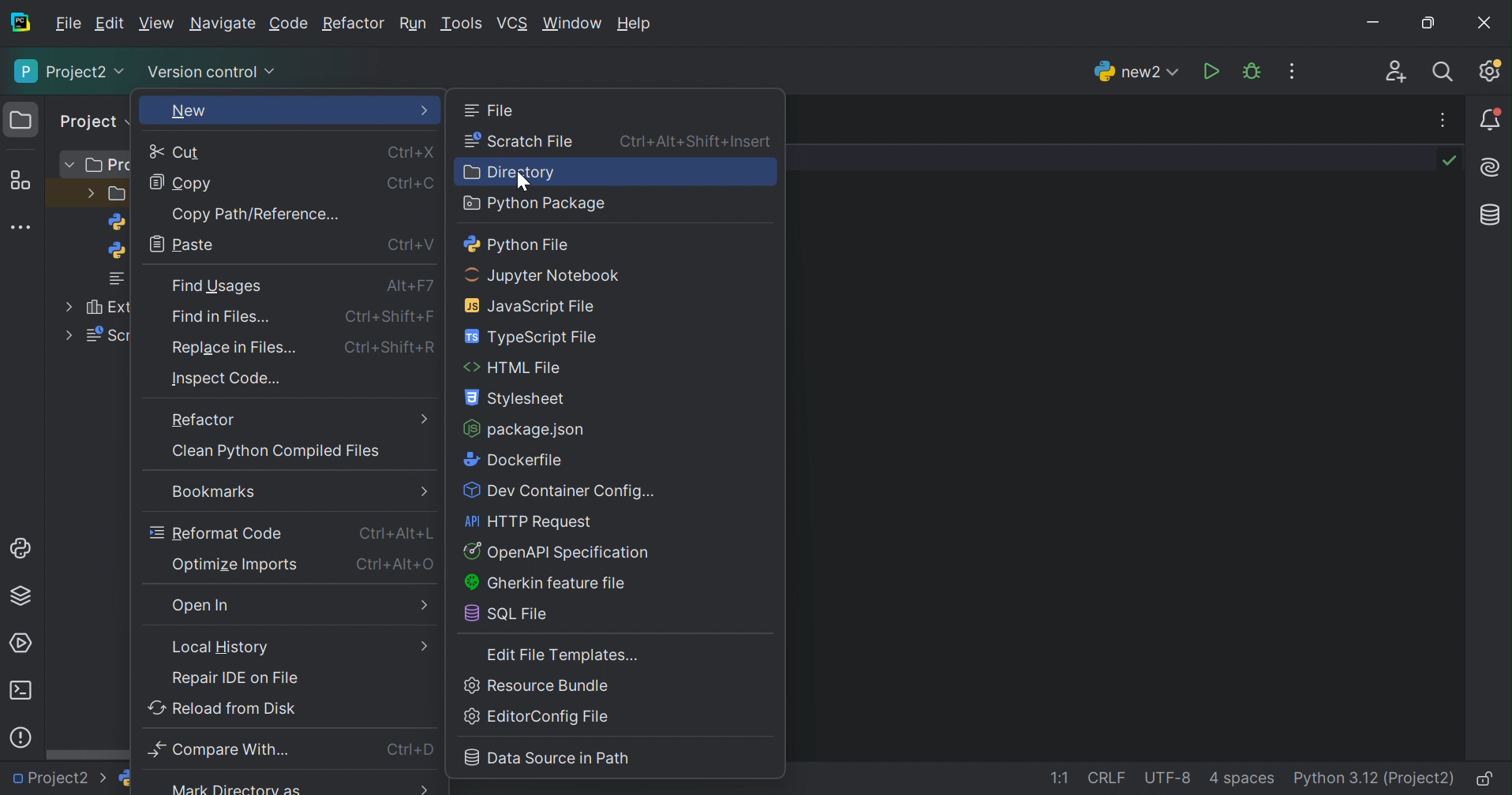 The height and width of the screenshot is (795, 1512). I want to click on Ctrl+X, so click(411, 154).